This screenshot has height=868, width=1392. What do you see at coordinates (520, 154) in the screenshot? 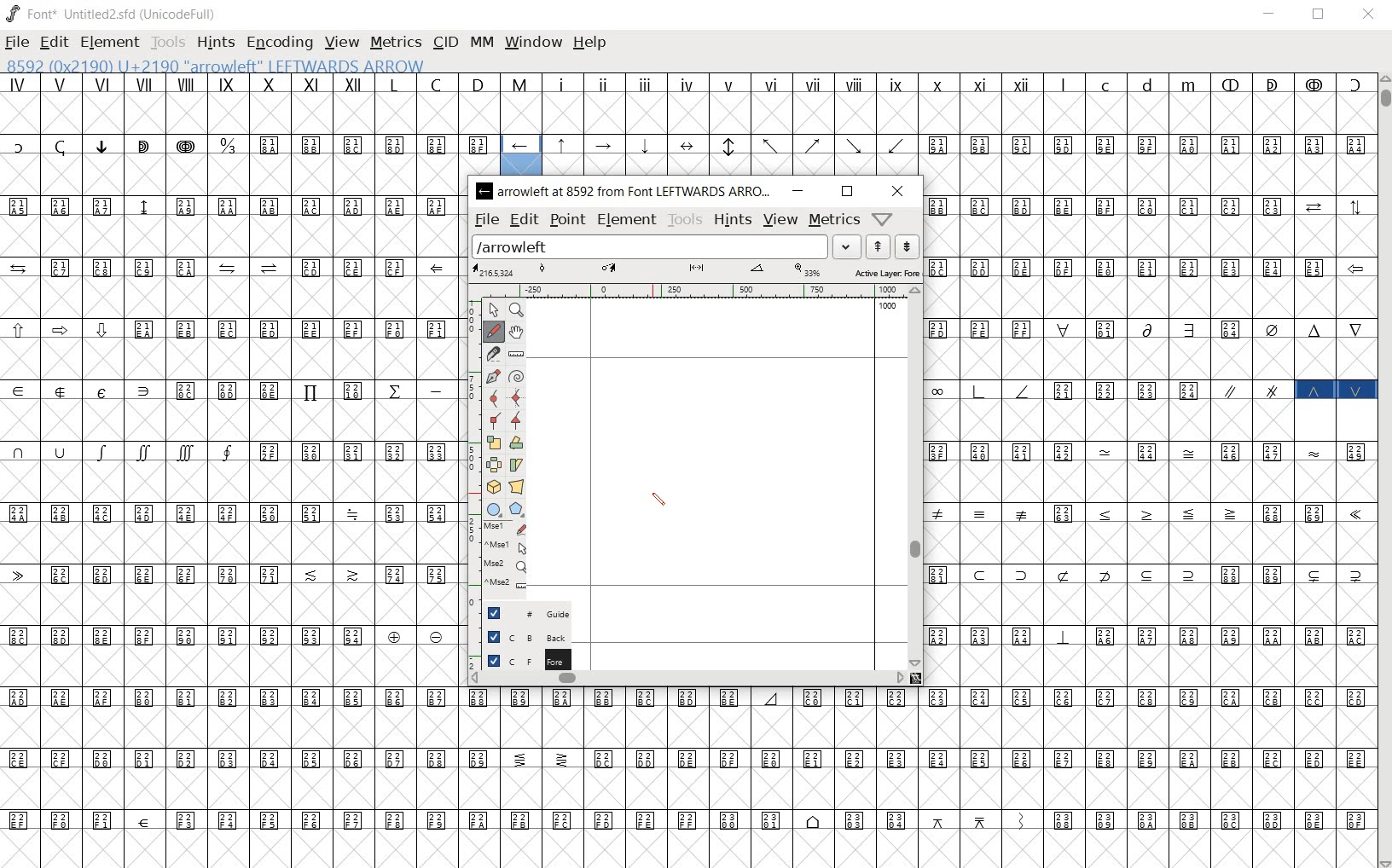
I see `glyph slot` at bounding box center [520, 154].